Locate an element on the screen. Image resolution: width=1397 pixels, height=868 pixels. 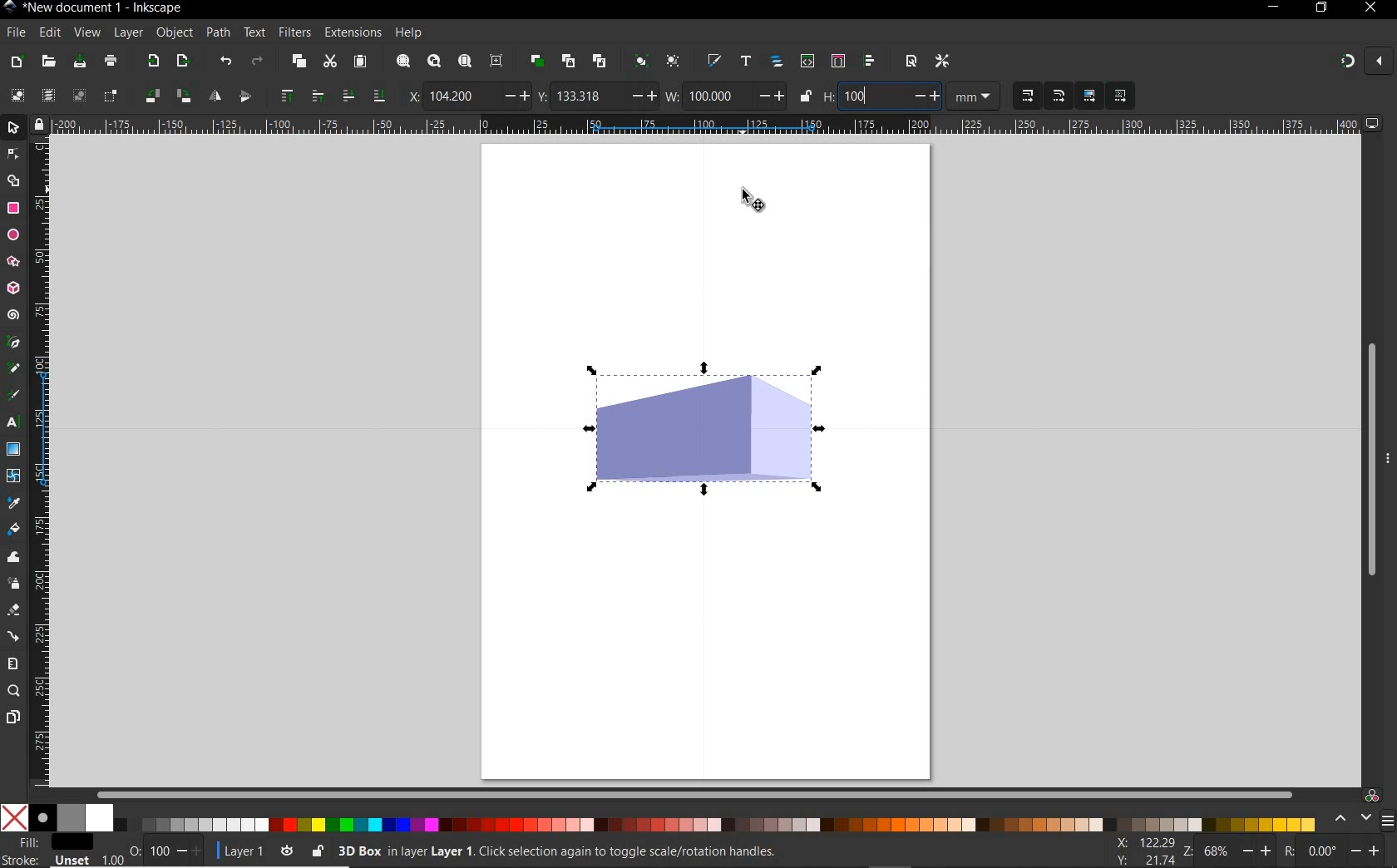
tweak tool is located at coordinates (13, 558).